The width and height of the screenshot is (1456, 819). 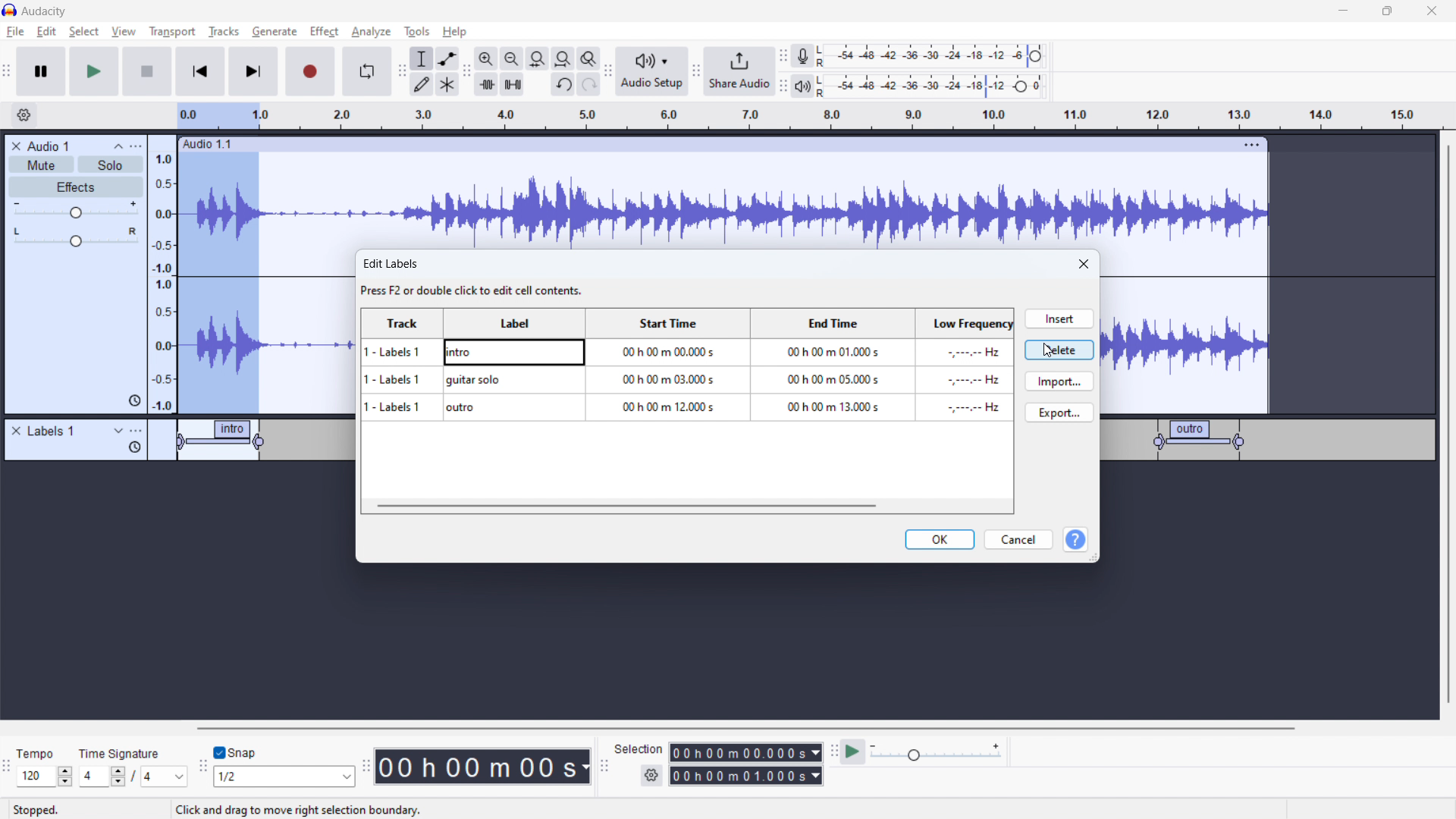 I want to click on edit toolbar, so click(x=466, y=72).